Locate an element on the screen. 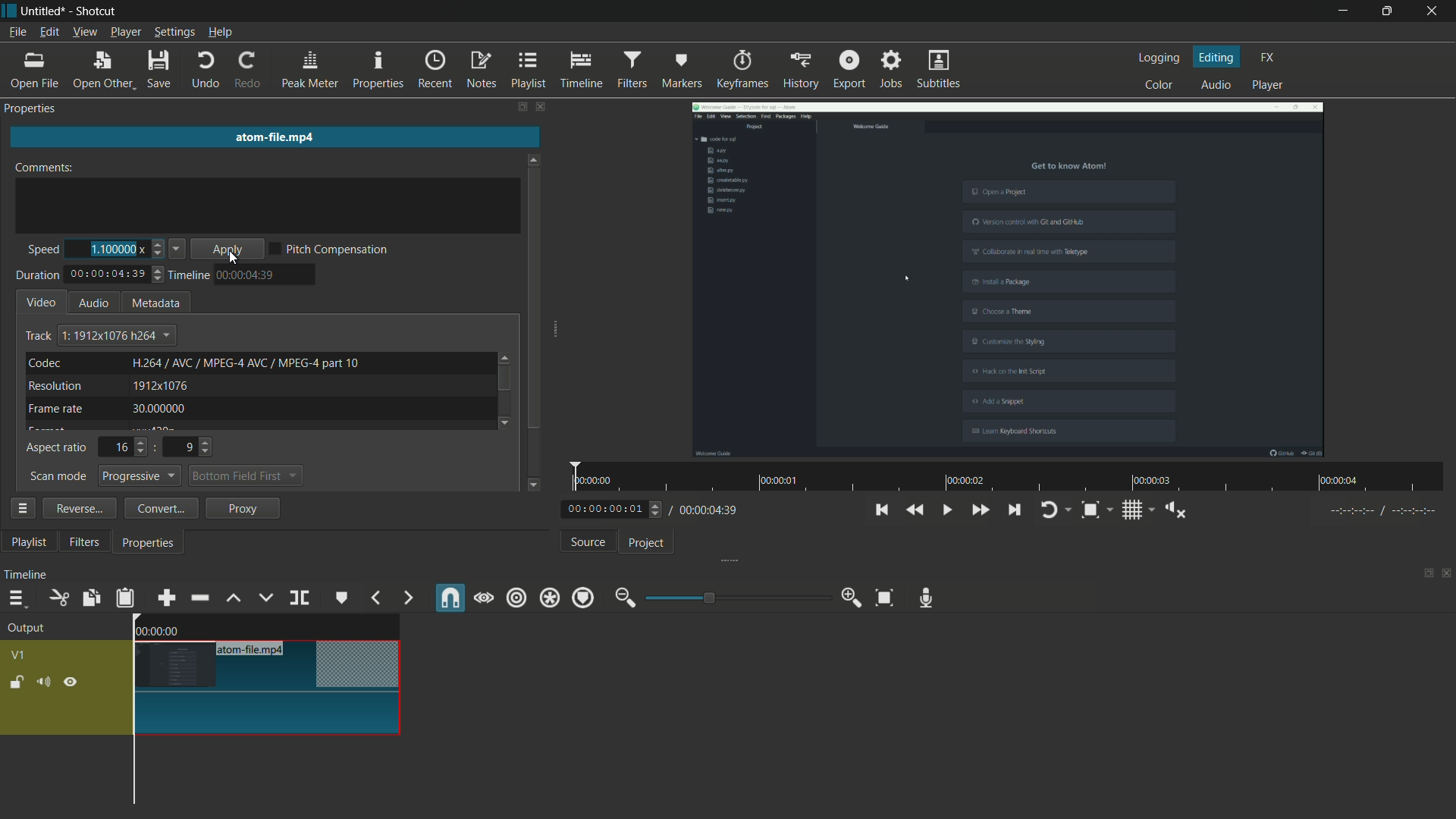 The image size is (1456, 819). edit menu is located at coordinates (50, 32).